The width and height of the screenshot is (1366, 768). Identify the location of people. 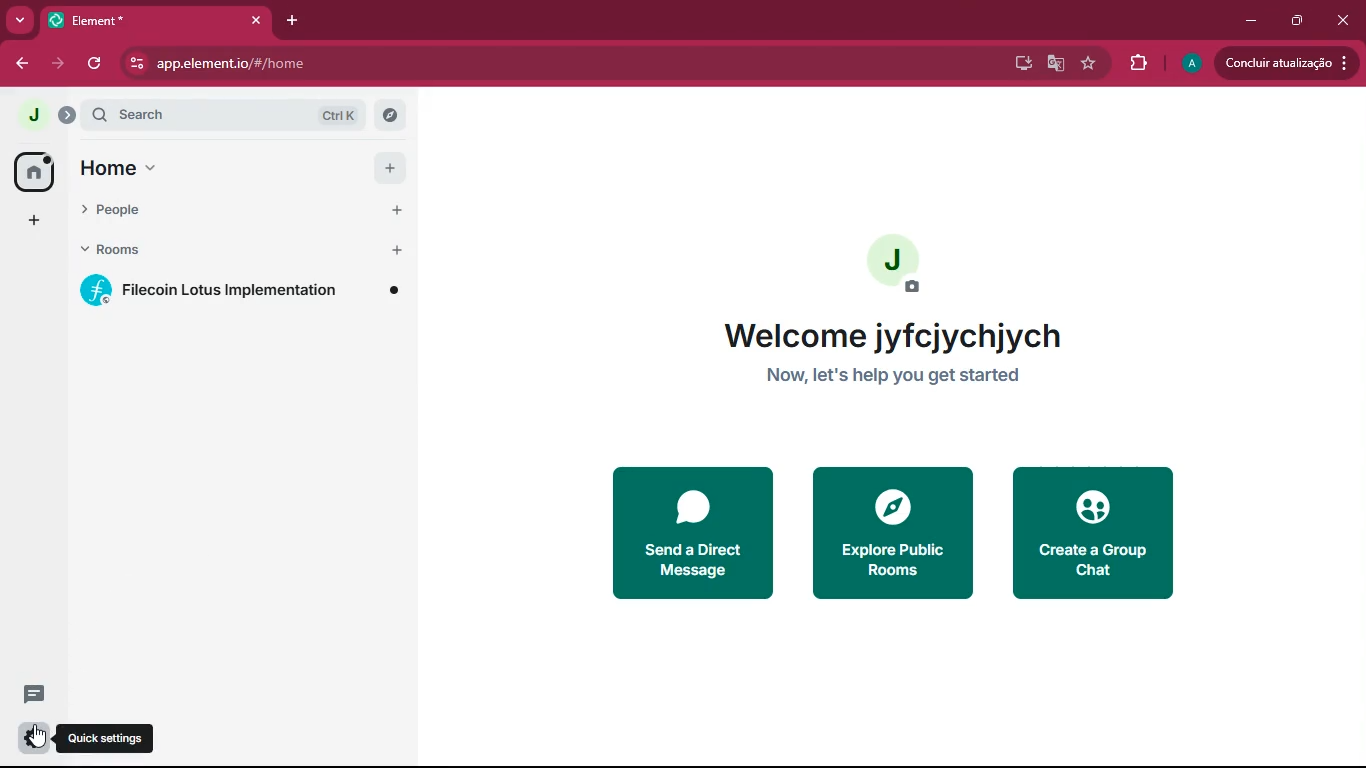
(242, 208).